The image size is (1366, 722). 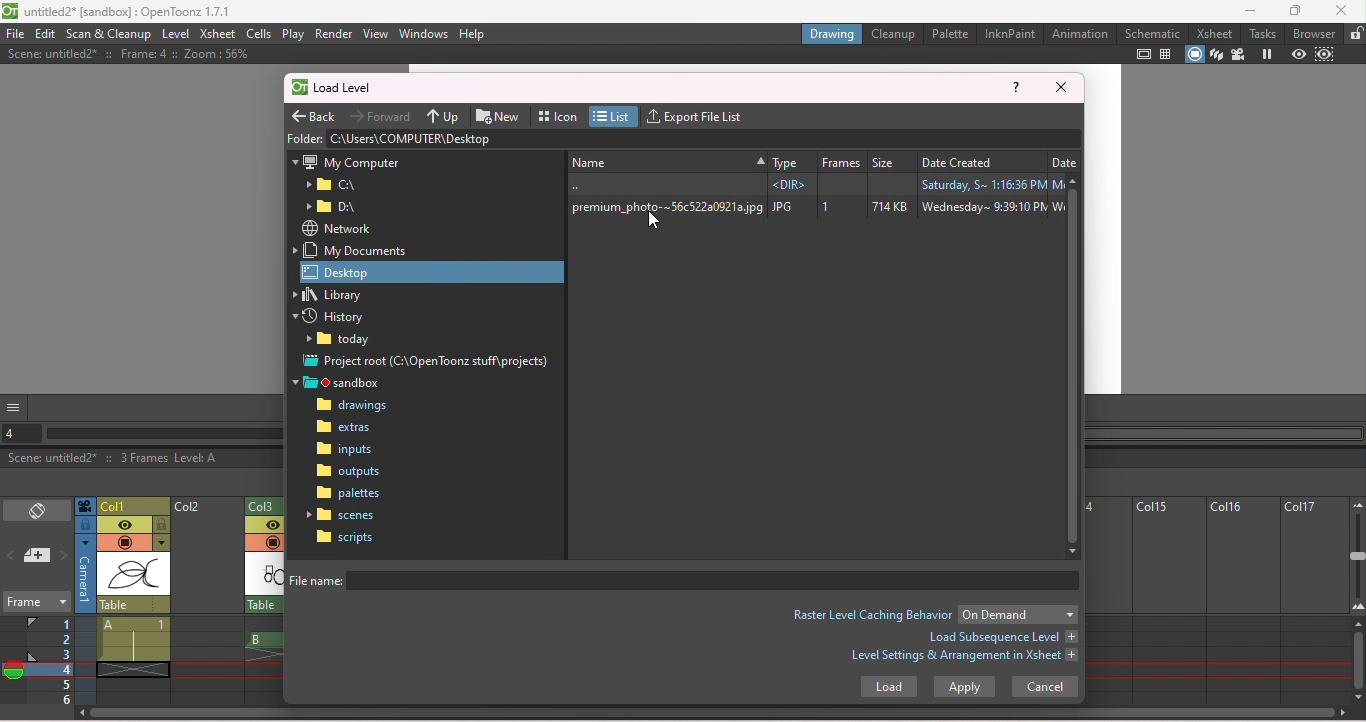 What do you see at coordinates (891, 159) in the screenshot?
I see `Size` at bounding box center [891, 159].